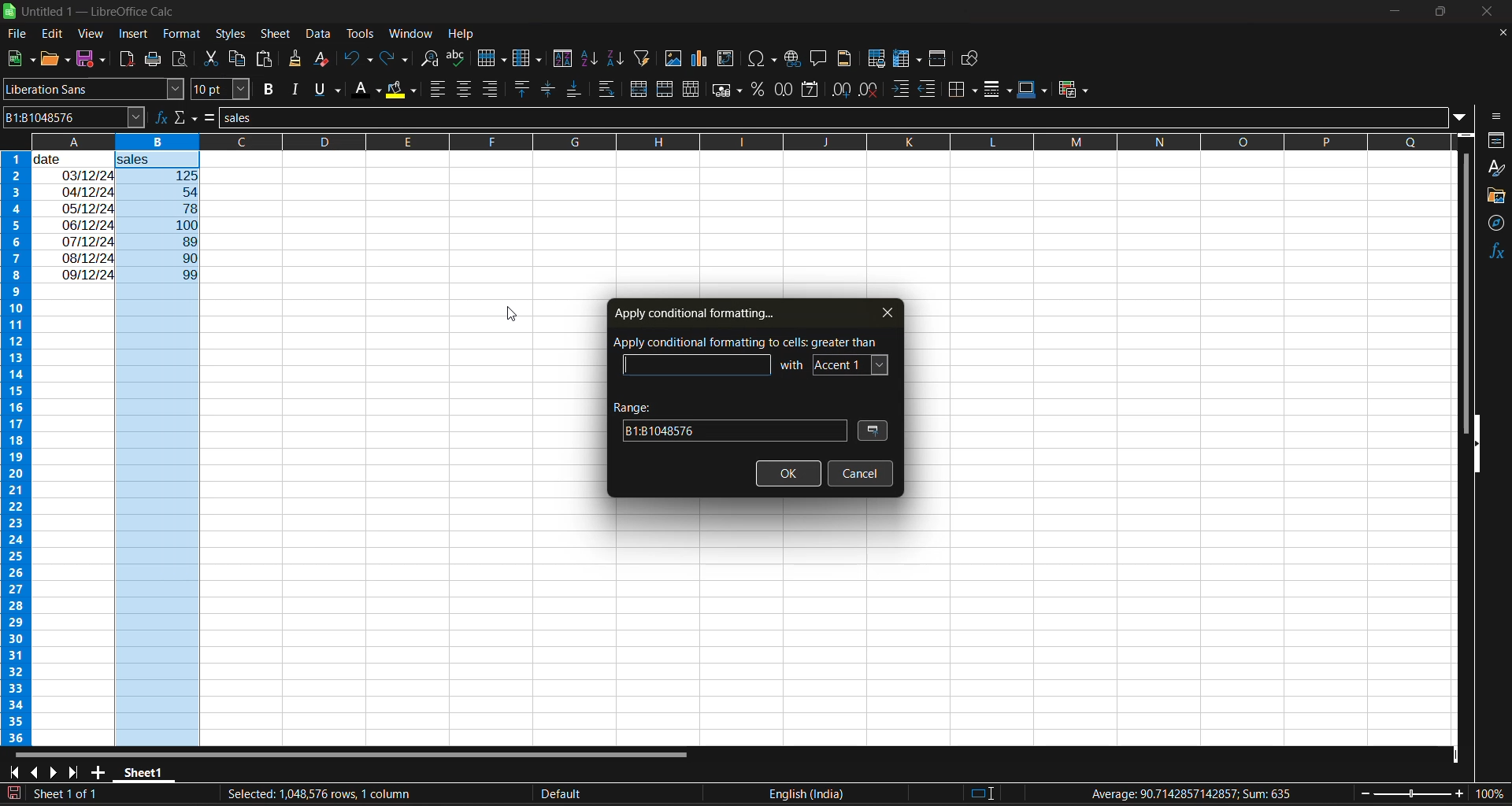 Image resolution: width=1512 pixels, height=806 pixels. I want to click on maximize, so click(1444, 15).